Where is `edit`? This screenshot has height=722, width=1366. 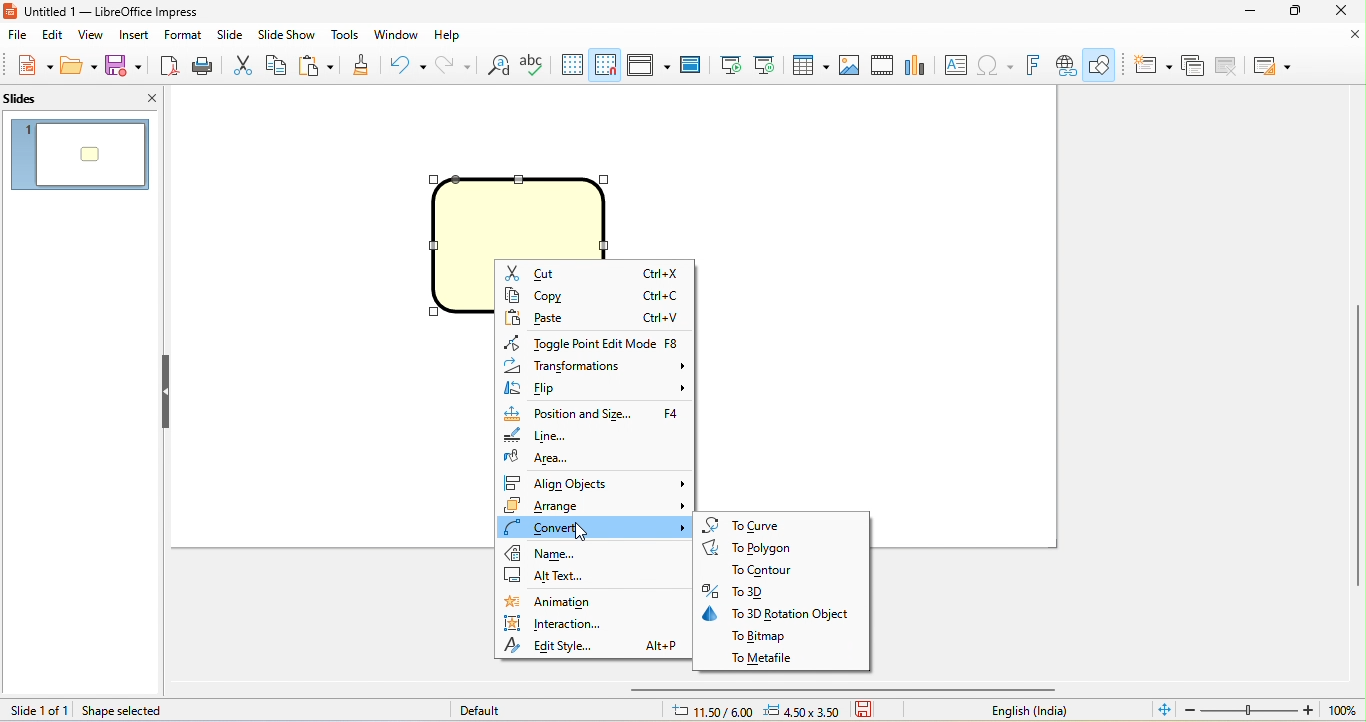
edit is located at coordinates (54, 34).